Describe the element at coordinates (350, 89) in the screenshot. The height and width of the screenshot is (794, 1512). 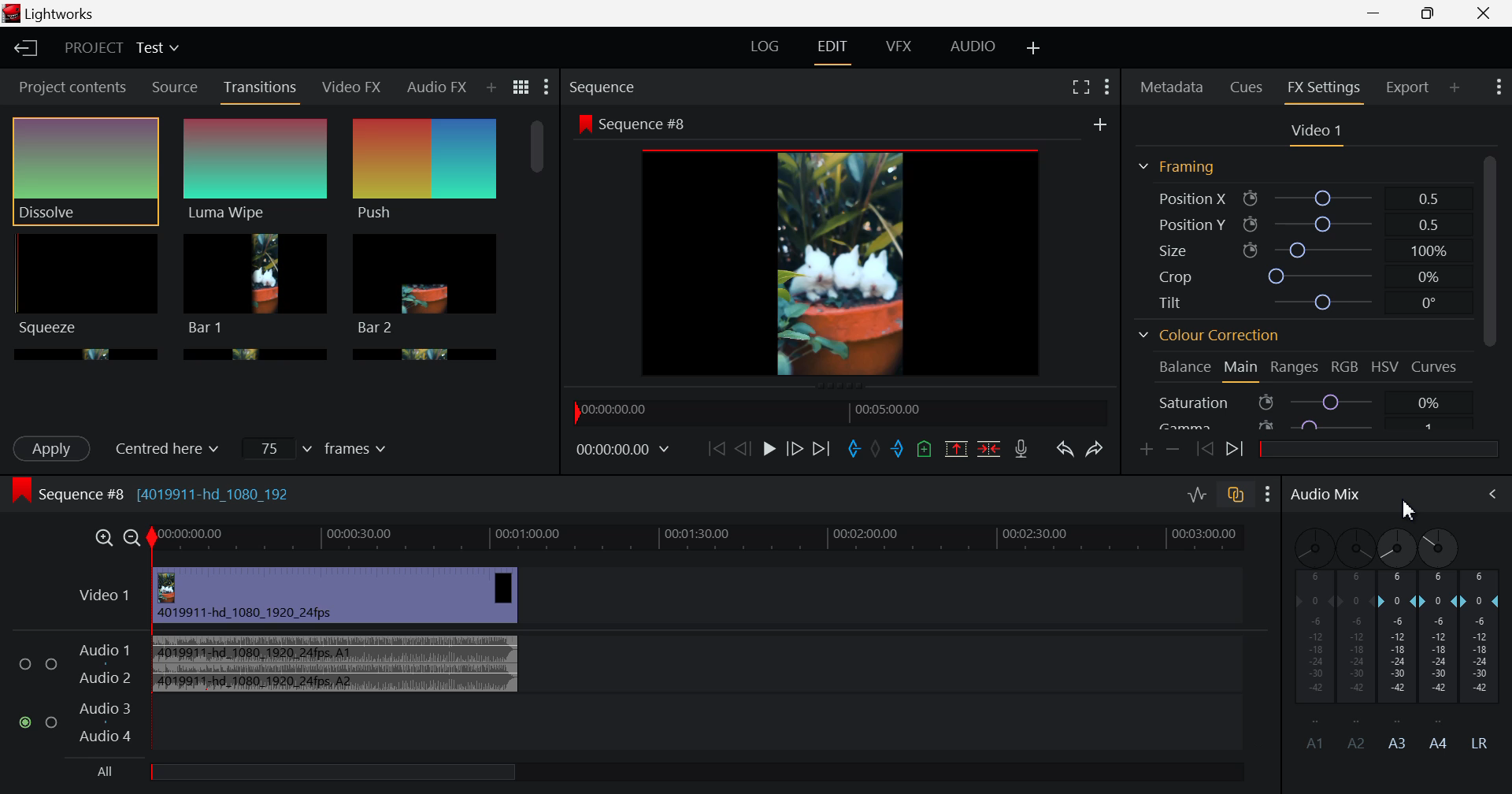
I see `Video FX` at that location.